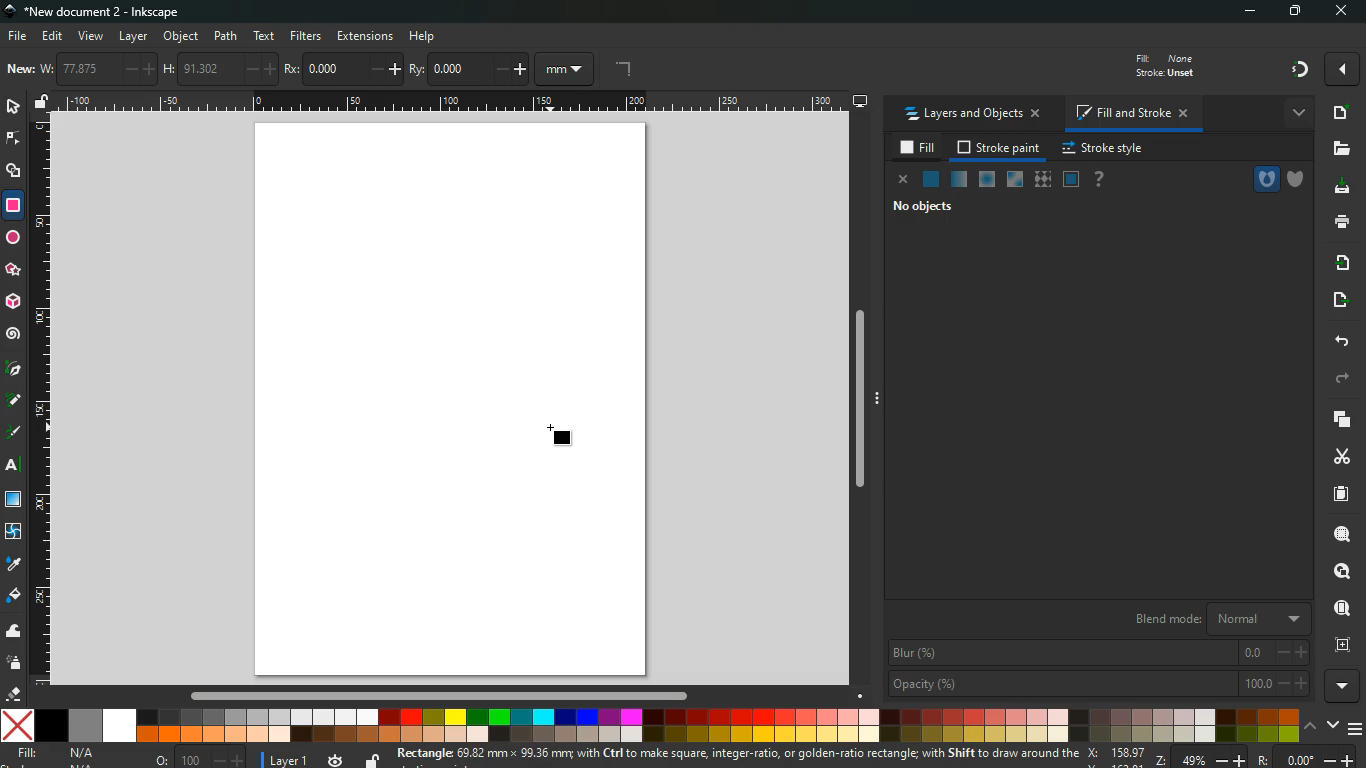 This screenshot has height=768, width=1366. I want to click on cursor, so click(548, 430).